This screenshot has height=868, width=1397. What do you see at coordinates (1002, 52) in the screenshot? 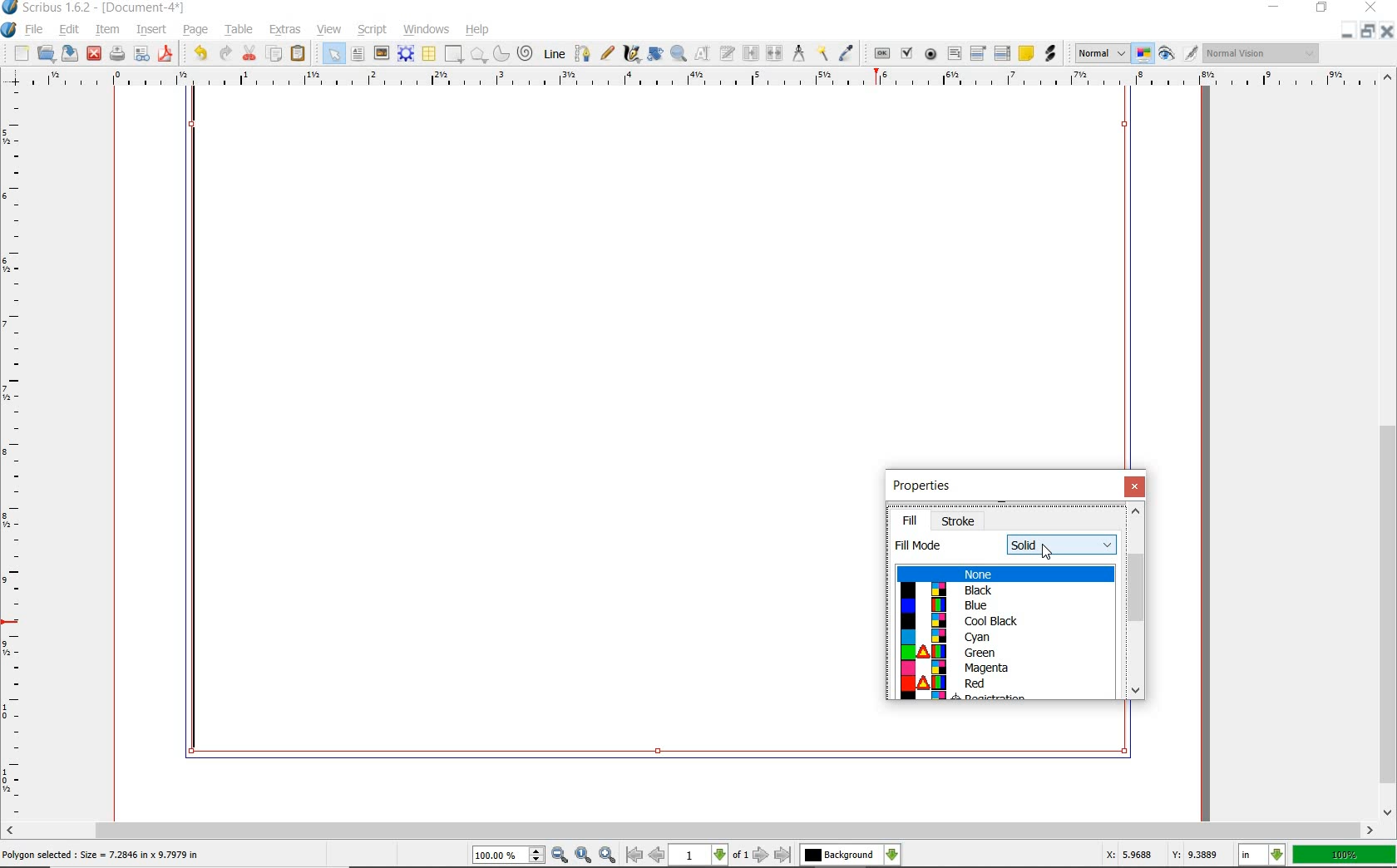
I see `pdf list box` at bounding box center [1002, 52].